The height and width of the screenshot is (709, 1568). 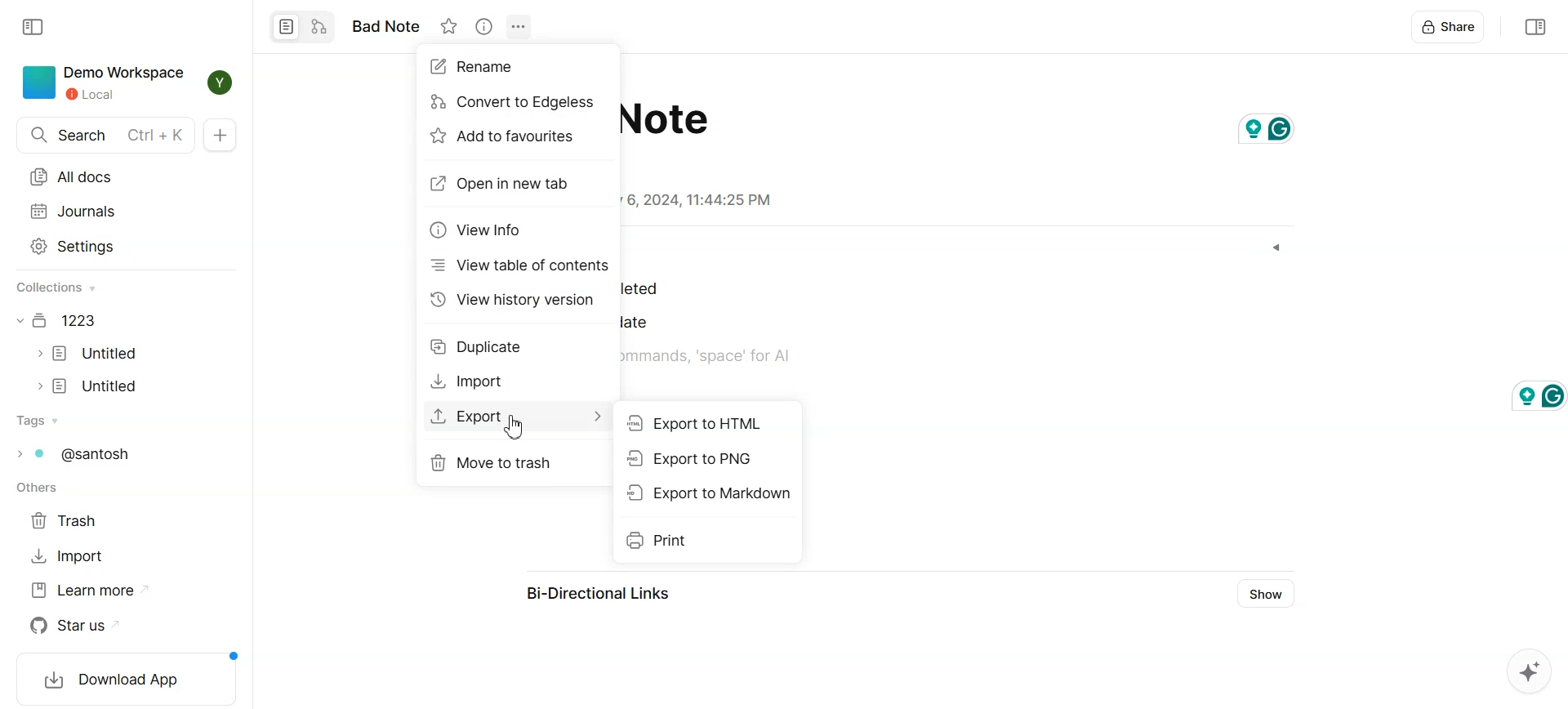 What do you see at coordinates (67, 556) in the screenshot?
I see `Import` at bounding box center [67, 556].